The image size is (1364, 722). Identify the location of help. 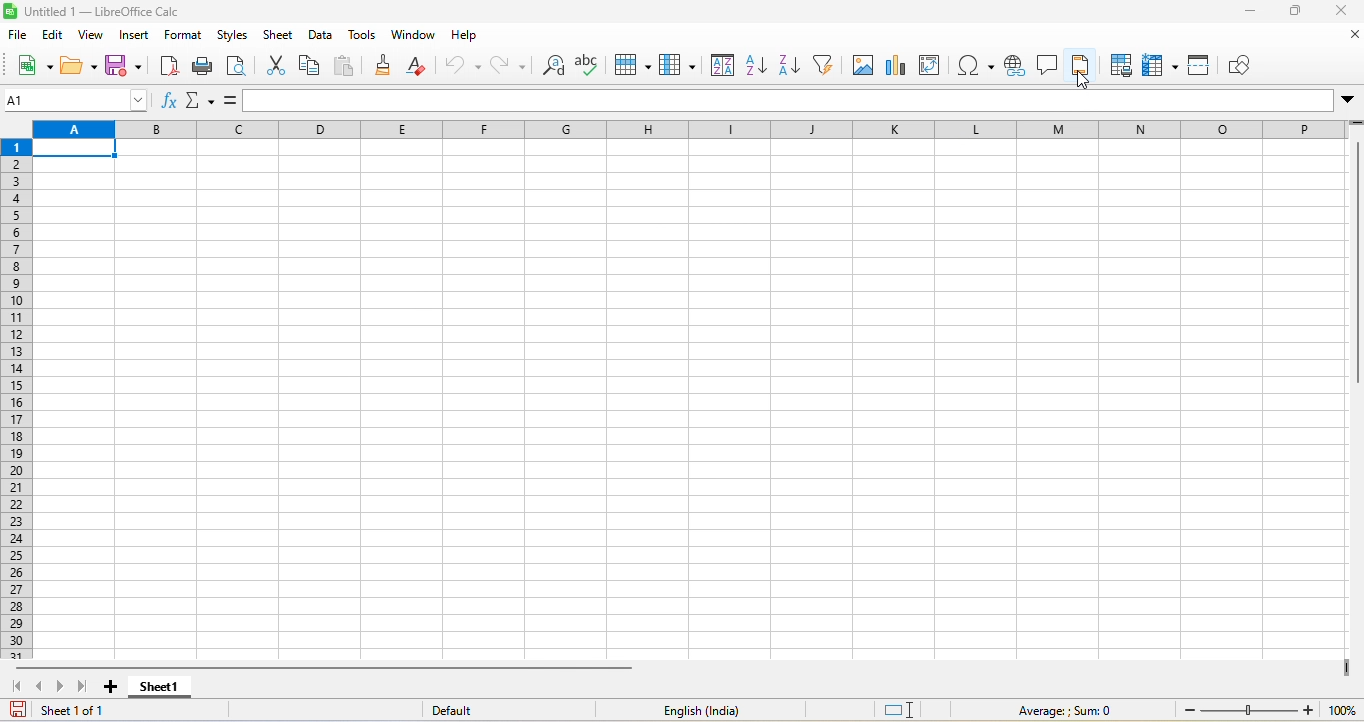
(473, 37).